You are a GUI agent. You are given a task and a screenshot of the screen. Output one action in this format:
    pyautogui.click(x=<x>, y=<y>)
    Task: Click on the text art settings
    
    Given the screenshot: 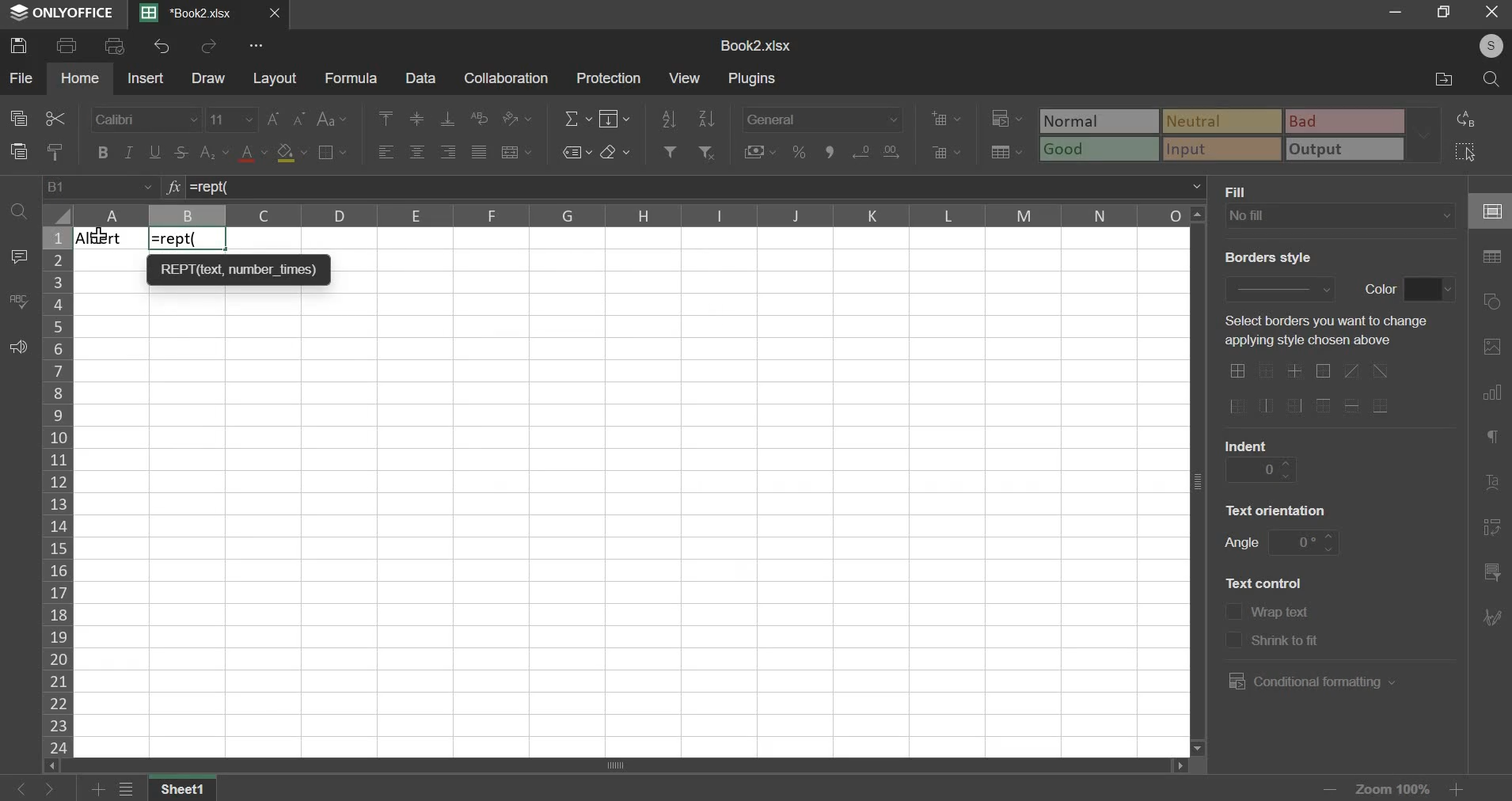 What is the action you would take?
    pyautogui.click(x=1495, y=480)
    